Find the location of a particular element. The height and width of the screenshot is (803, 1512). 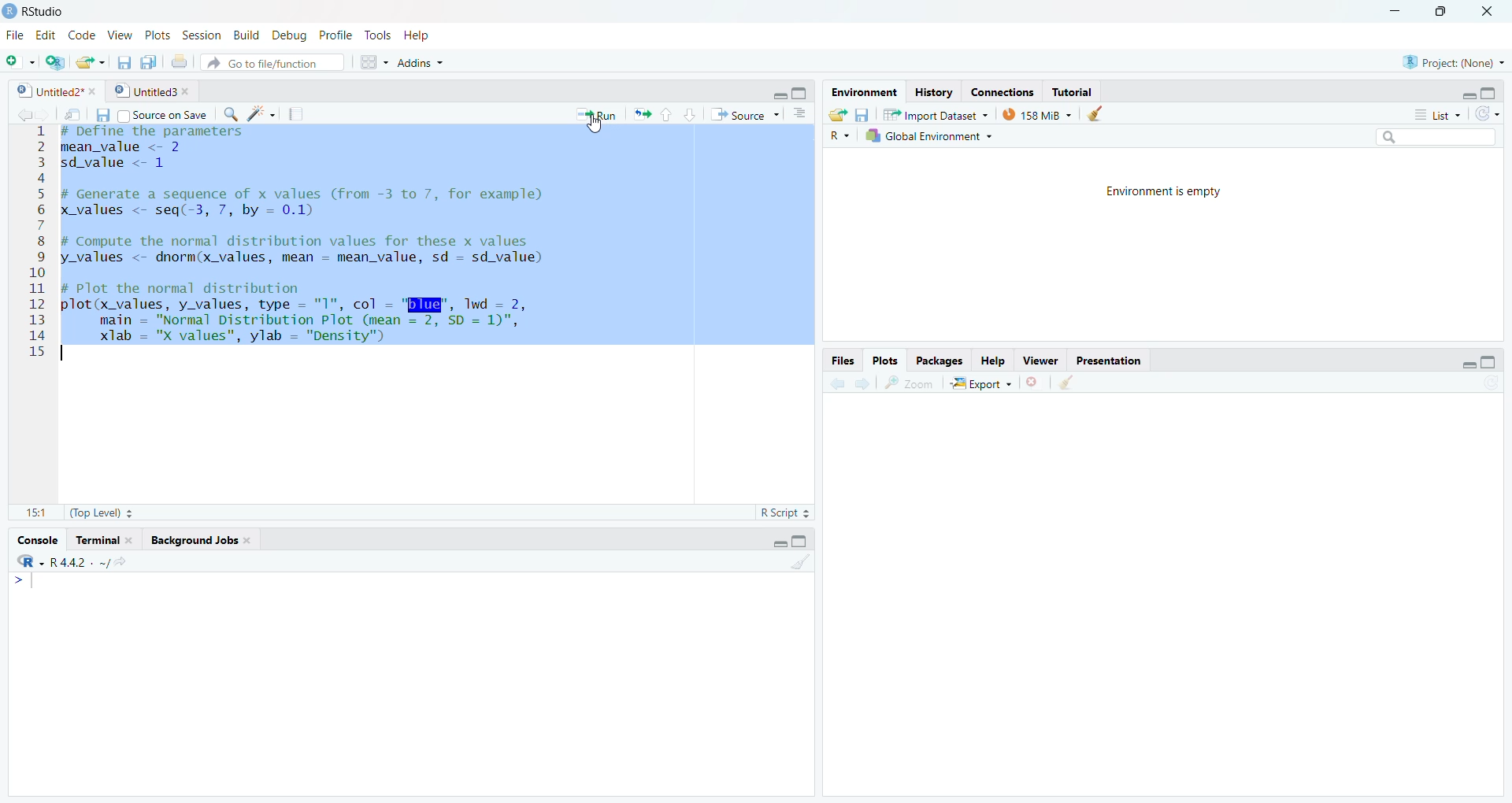

 Untitled2 is located at coordinates (51, 89).